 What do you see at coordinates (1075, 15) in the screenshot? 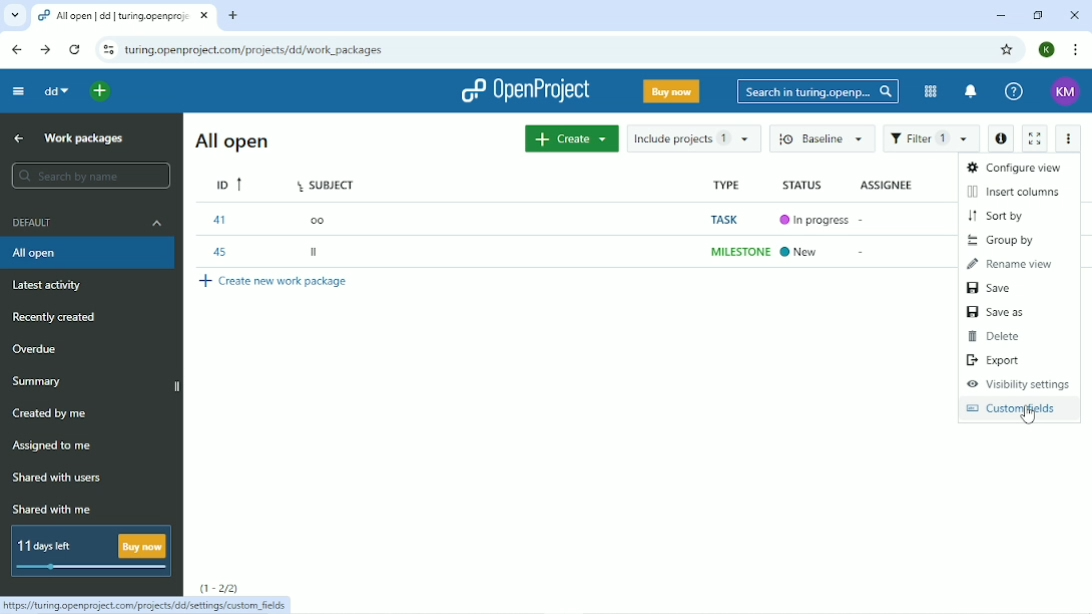
I see `Close` at bounding box center [1075, 15].